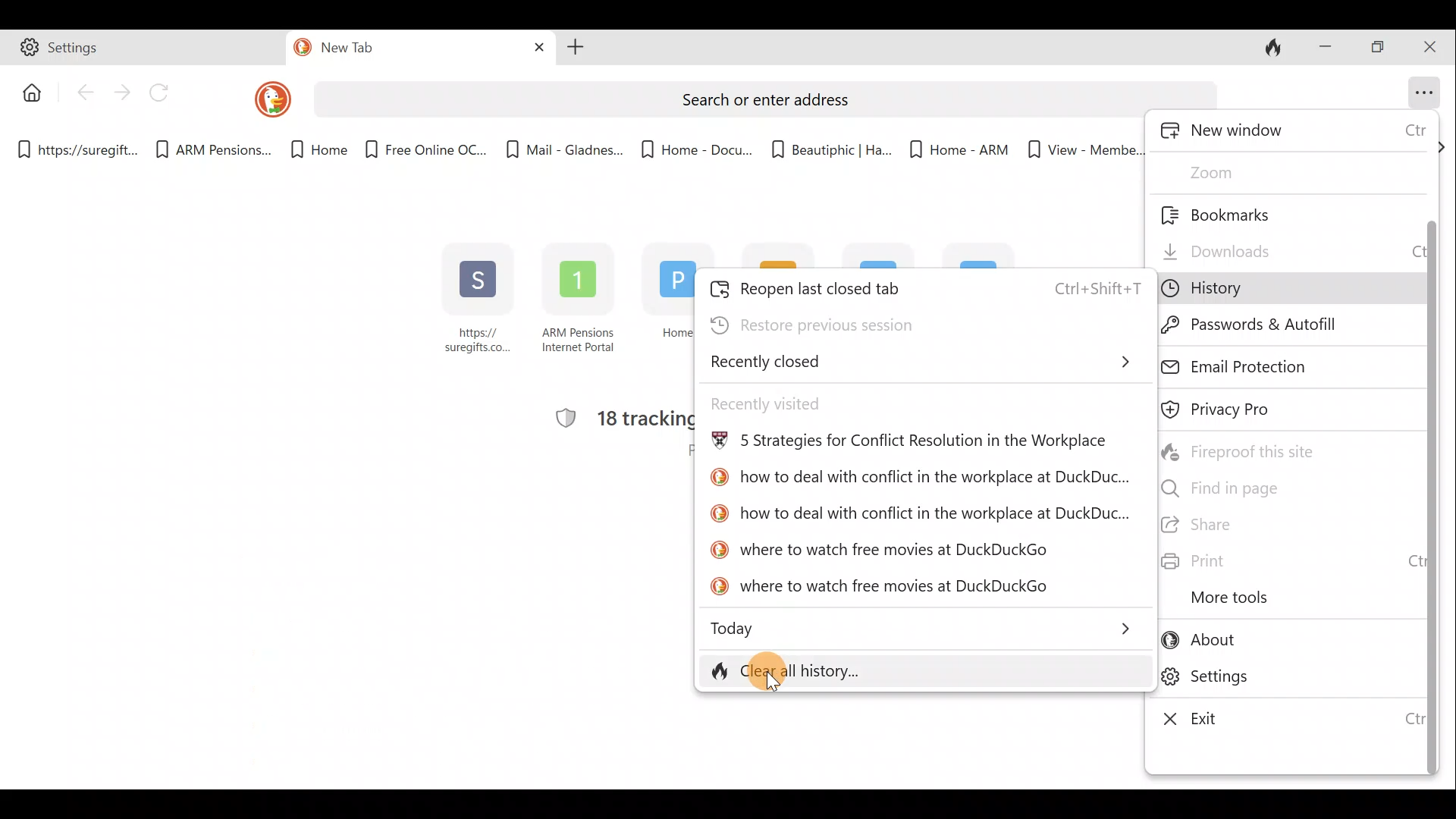 The height and width of the screenshot is (819, 1456). Describe the element at coordinates (645, 418) in the screenshot. I see `18 tracking` at that location.